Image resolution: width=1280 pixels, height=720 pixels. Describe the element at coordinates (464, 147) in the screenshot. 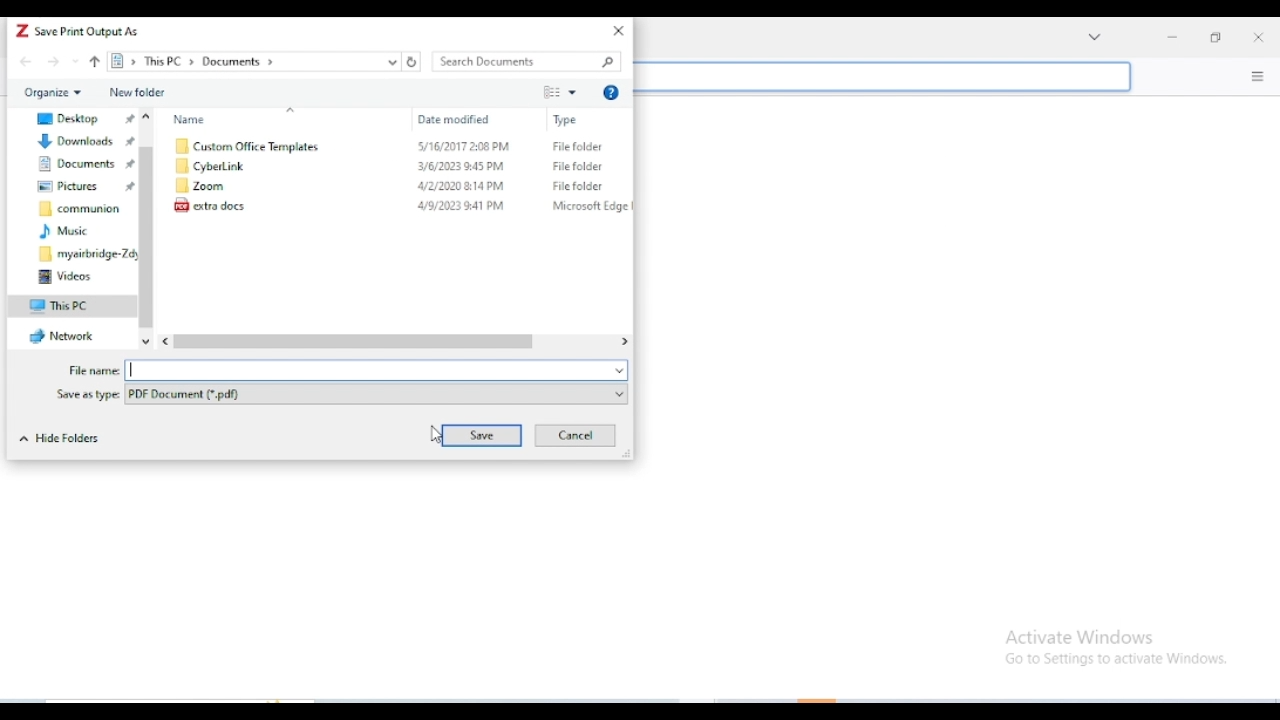

I see `S/16/2017 2:08 PM` at that location.